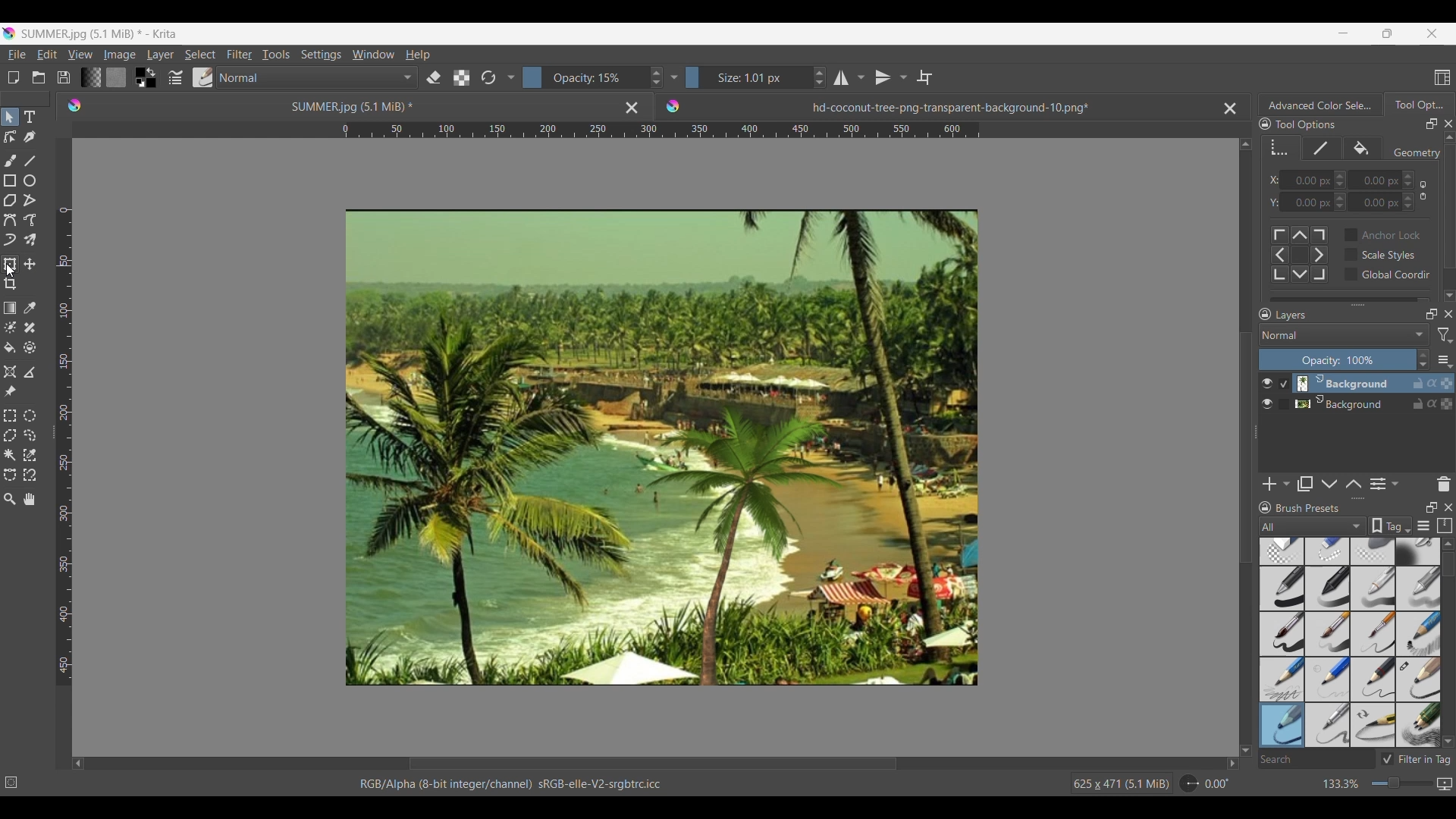 This screenshot has height=819, width=1456. Describe the element at coordinates (10, 220) in the screenshot. I see `Bezier curve tool` at that location.